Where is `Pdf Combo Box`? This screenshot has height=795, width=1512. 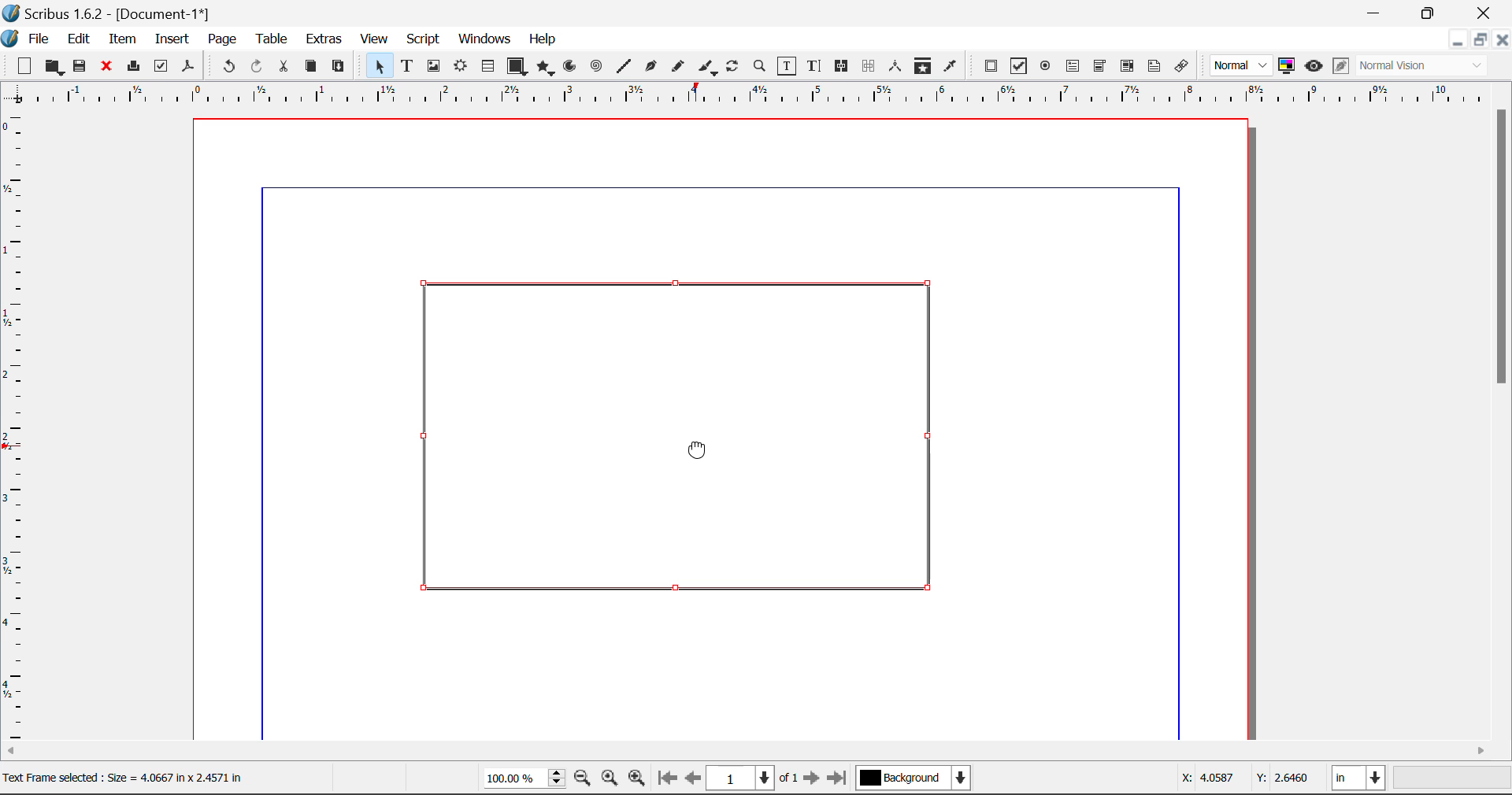
Pdf Combo Box is located at coordinates (1100, 65).